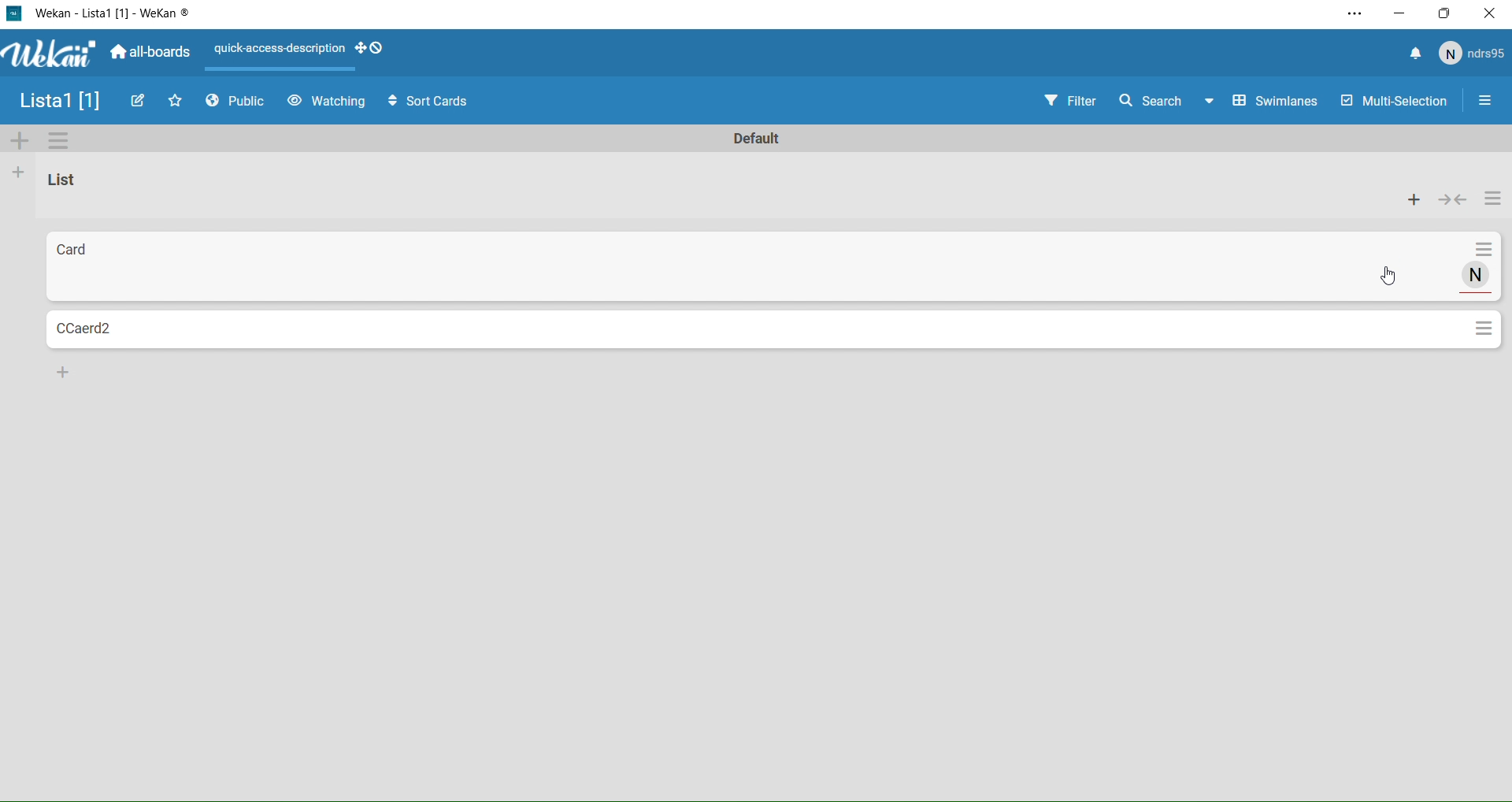 Image resolution: width=1512 pixels, height=802 pixels. What do you see at coordinates (742, 268) in the screenshot?
I see `After Last Action` at bounding box center [742, 268].